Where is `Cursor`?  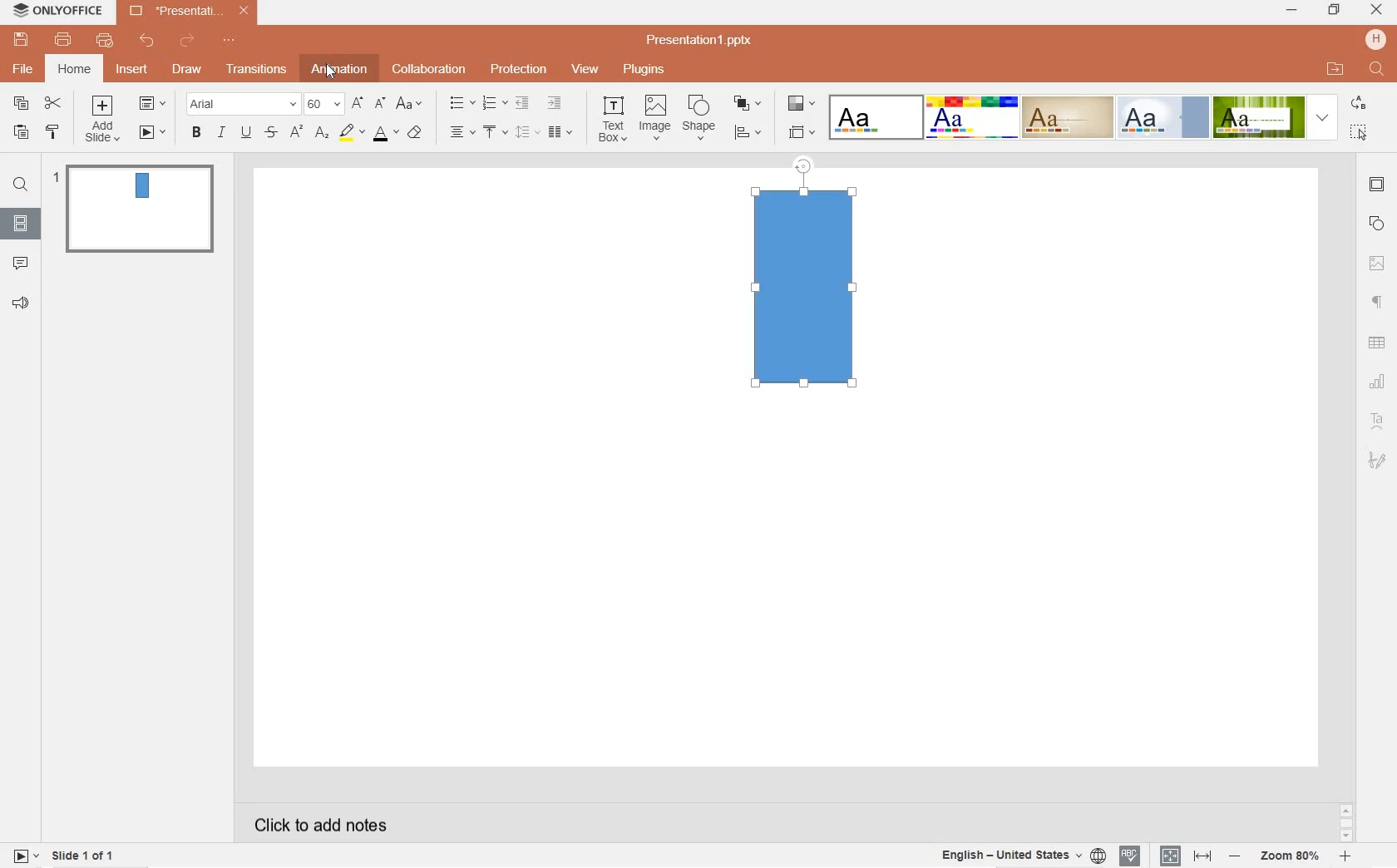 Cursor is located at coordinates (330, 72).